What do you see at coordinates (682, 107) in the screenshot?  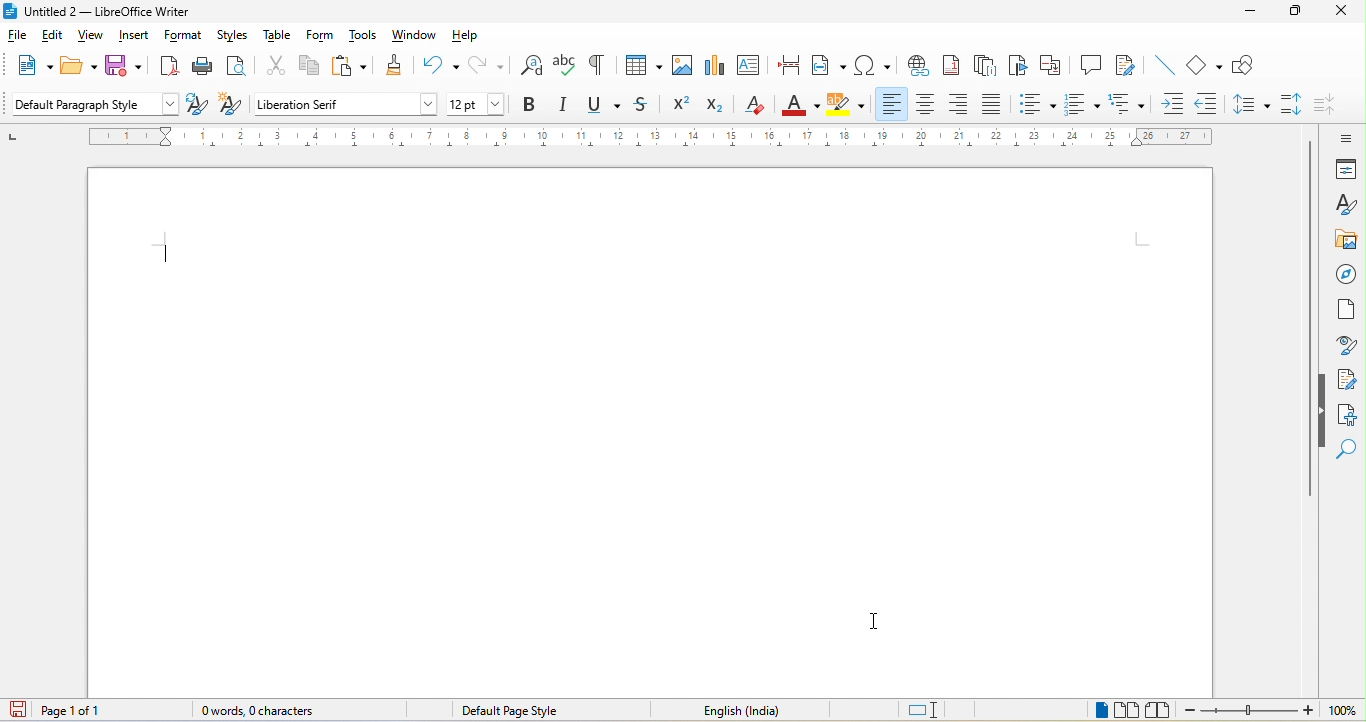 I see `superscript` at bounding box center [682, 107].